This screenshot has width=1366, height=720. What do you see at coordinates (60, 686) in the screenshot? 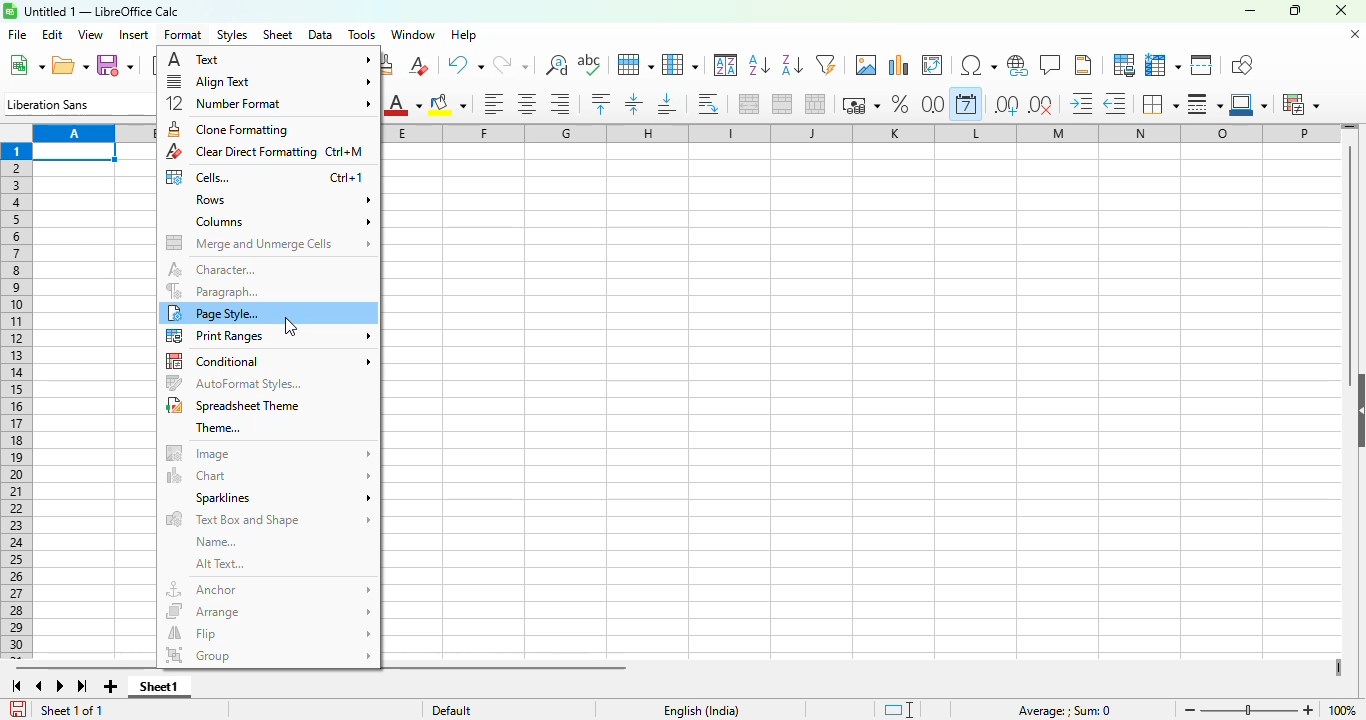
I see `scroll to next sheet` at bounding box center [60, 686].